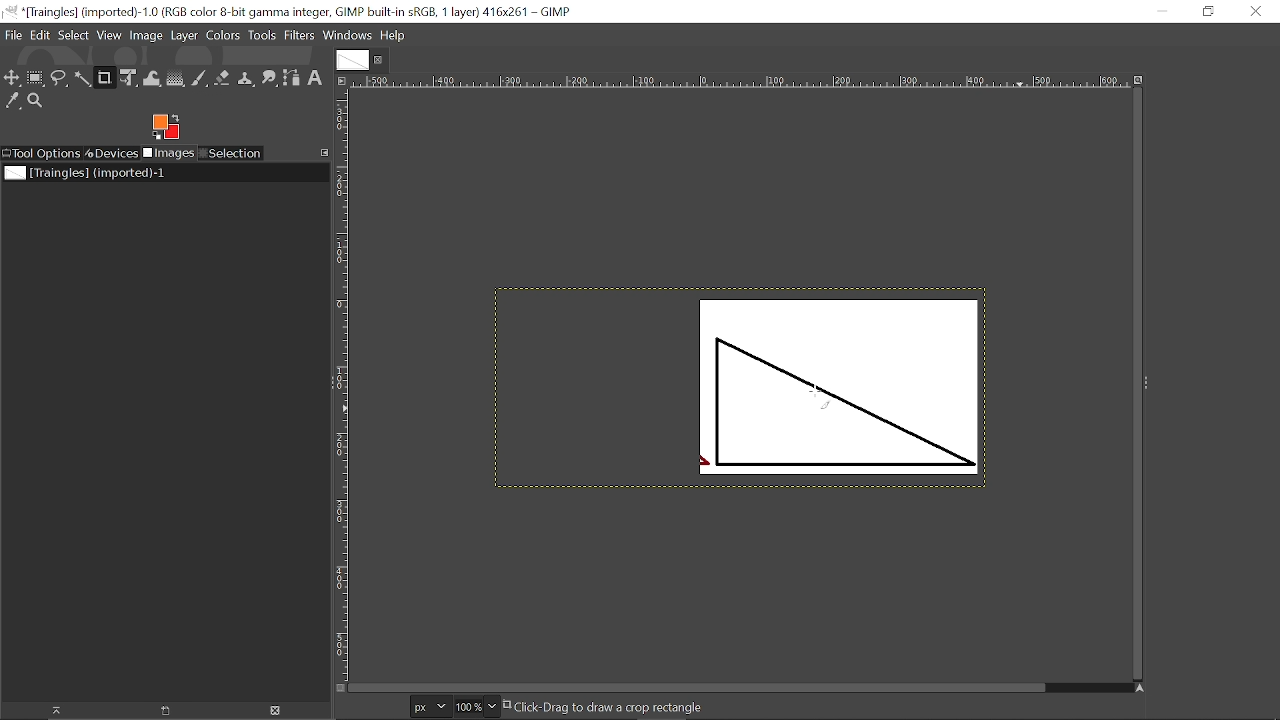  Describe the element at coordinates (1206, 13) in the screenshot. I see `Restore down` at that location.